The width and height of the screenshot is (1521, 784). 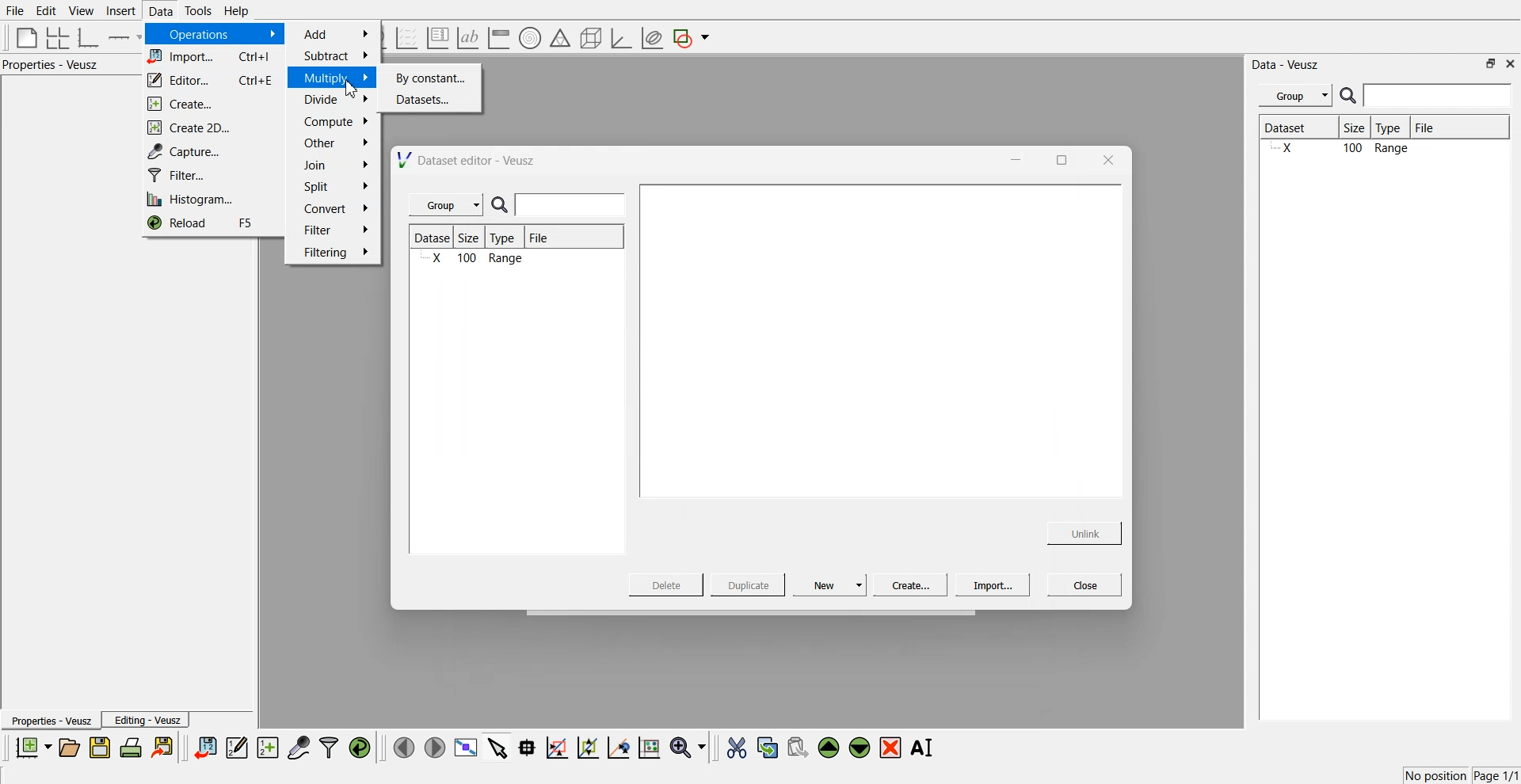 I want to click on Duplicate, so click(x=748, y=586).